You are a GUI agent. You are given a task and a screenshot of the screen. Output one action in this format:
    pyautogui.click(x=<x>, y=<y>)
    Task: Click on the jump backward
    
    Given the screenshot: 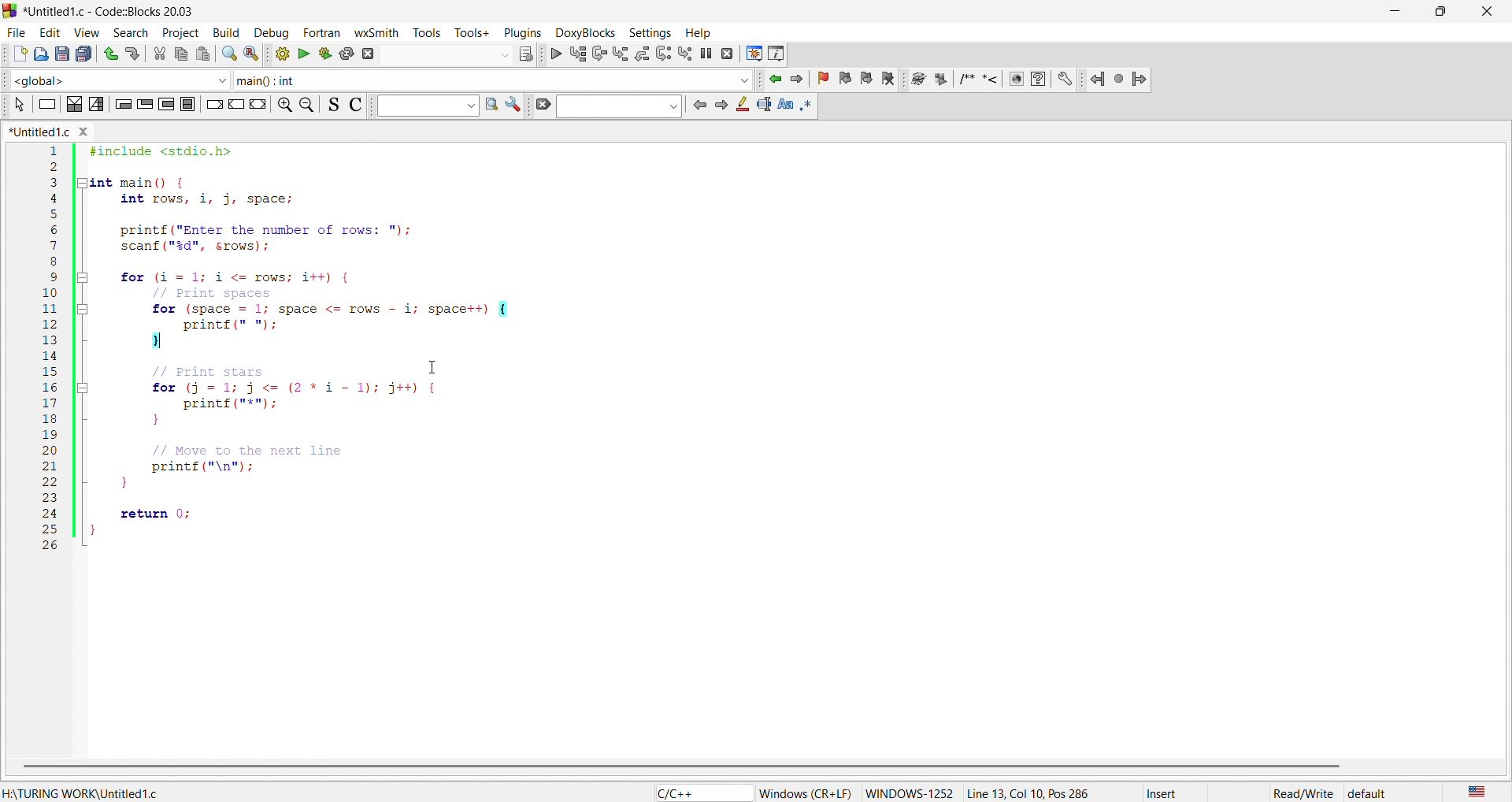 What is the action you would take?
    pyautogui.click(x=773, y=79)
    